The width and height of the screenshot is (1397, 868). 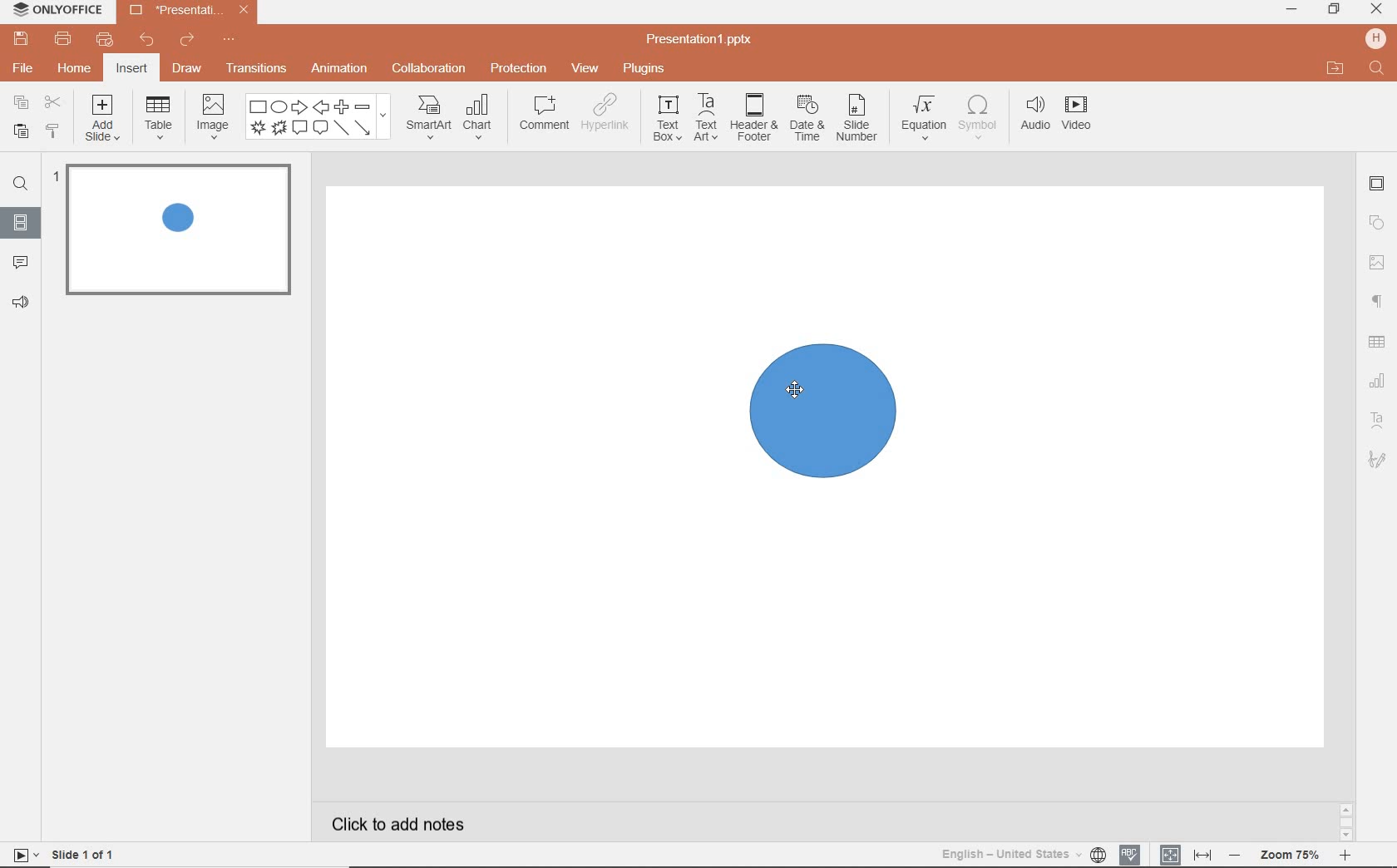 I want to click on add slide, so click(x=104, y=119).